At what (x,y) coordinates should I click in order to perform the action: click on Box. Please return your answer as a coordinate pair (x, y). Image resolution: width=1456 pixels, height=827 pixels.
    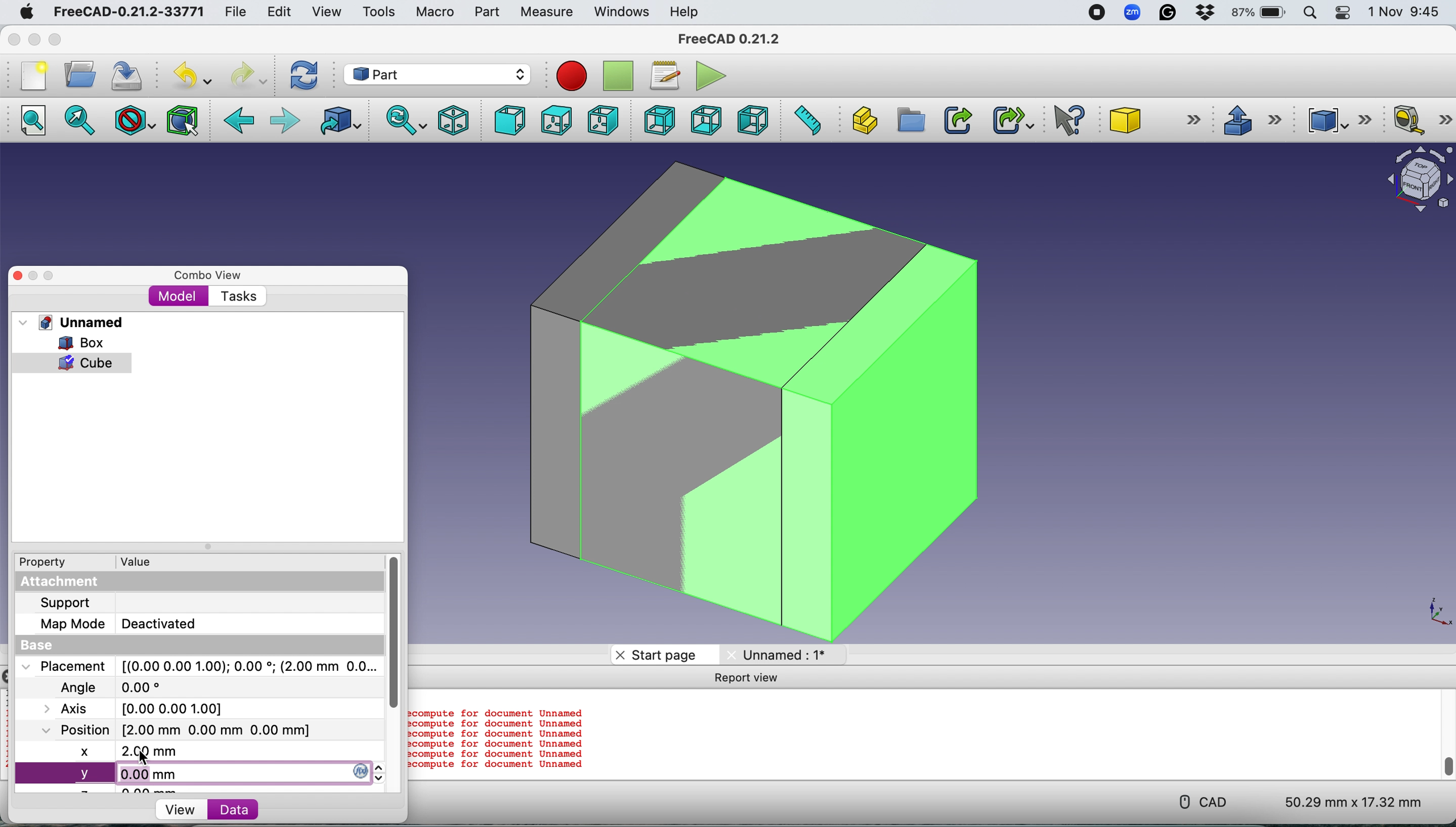
    Looking at the image, I should click on (70, 343).